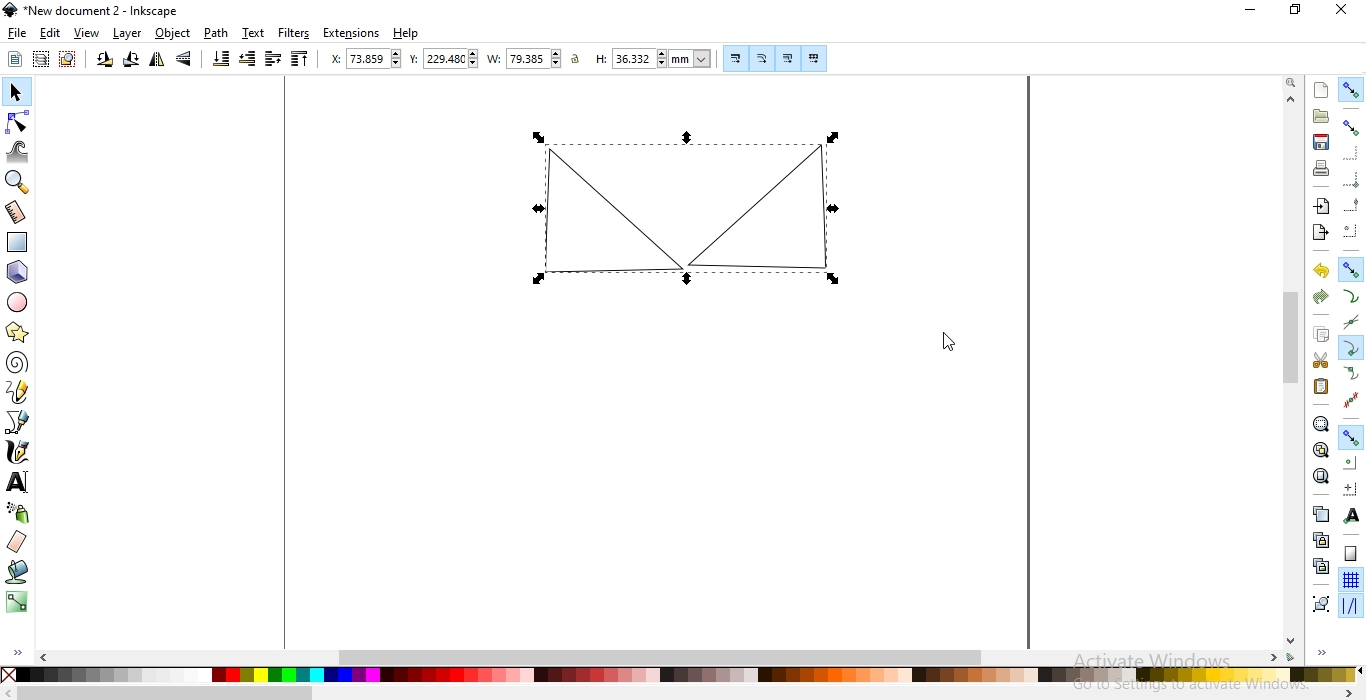 The image size is (1366, 700). I want to click on extensions, so click(352, 34).